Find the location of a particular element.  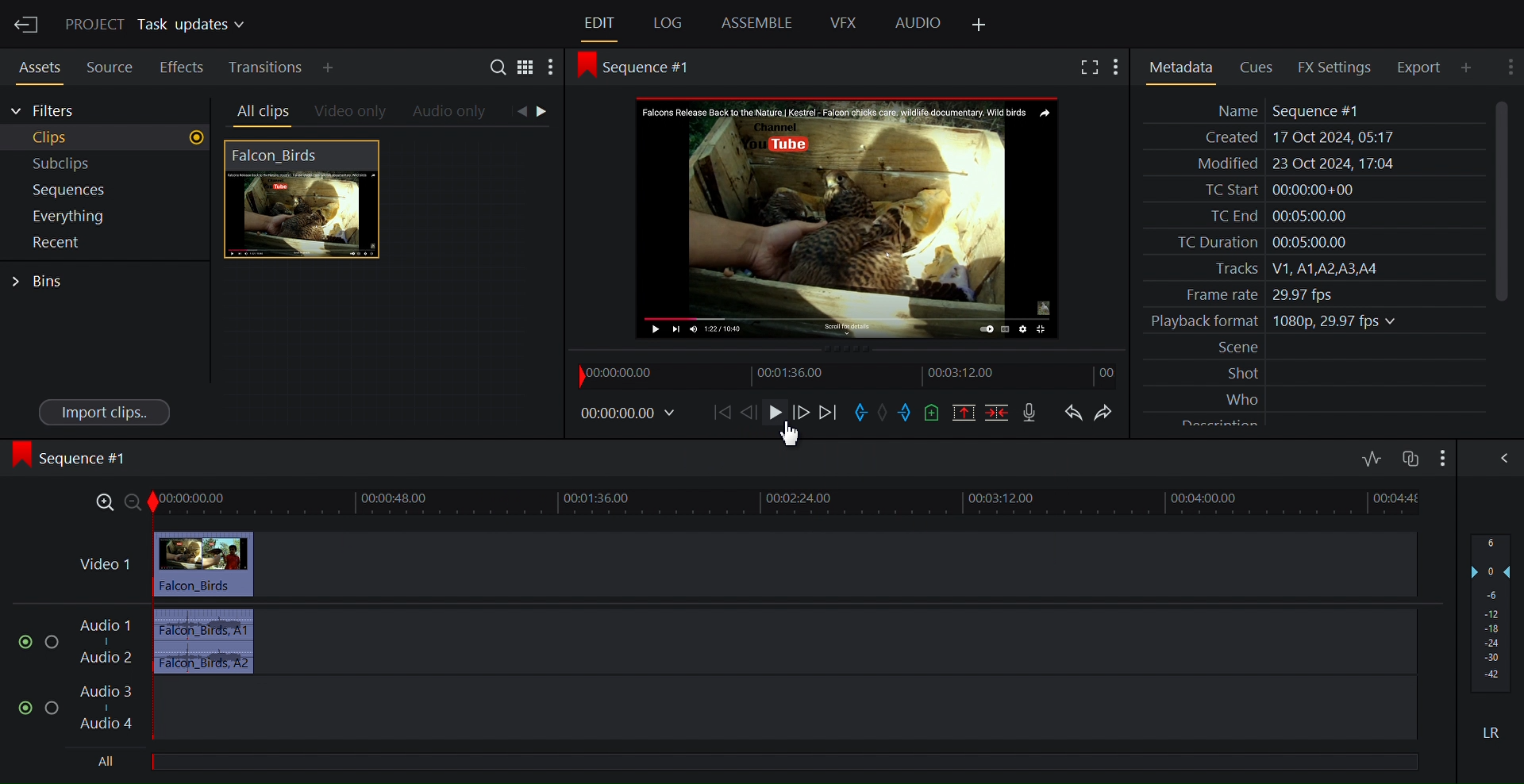

Add Panle is located at coordinates (1471, 67).